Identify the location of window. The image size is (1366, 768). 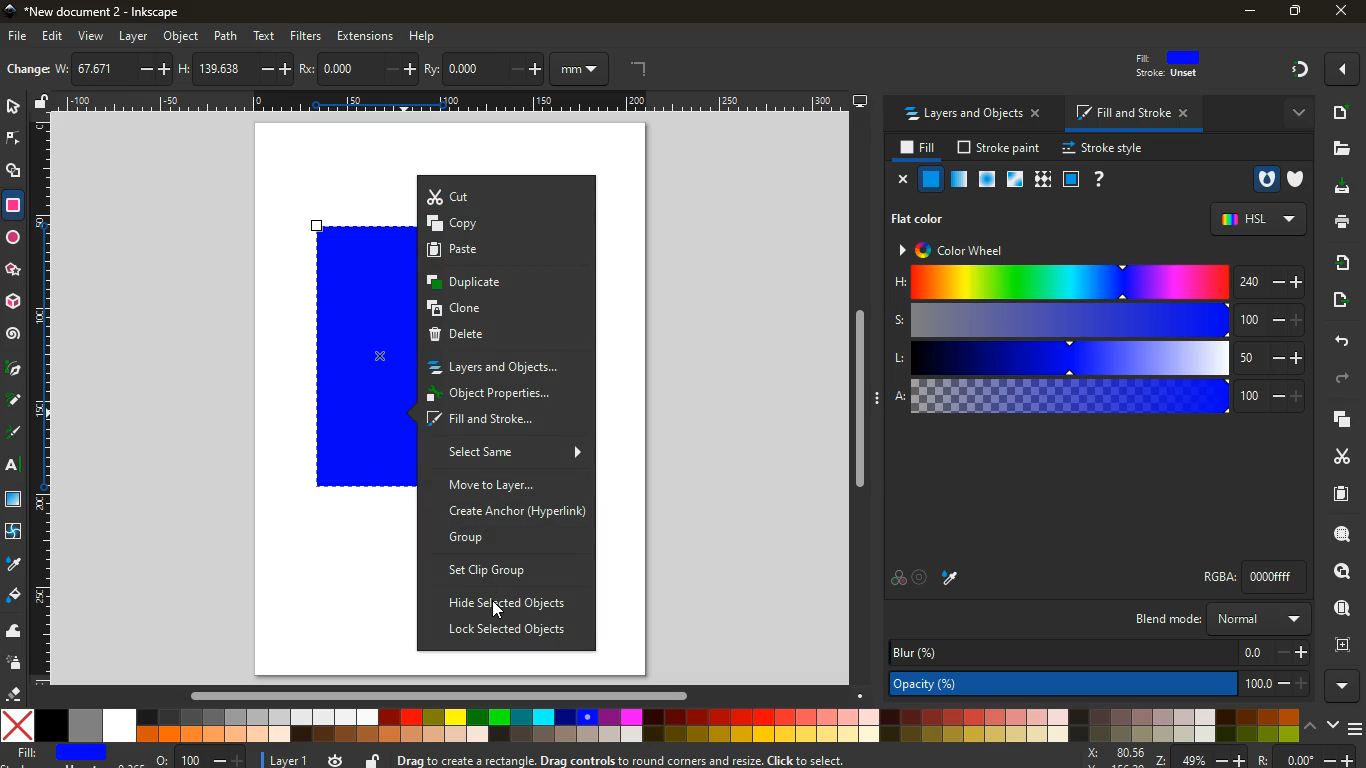
(1014, 179).